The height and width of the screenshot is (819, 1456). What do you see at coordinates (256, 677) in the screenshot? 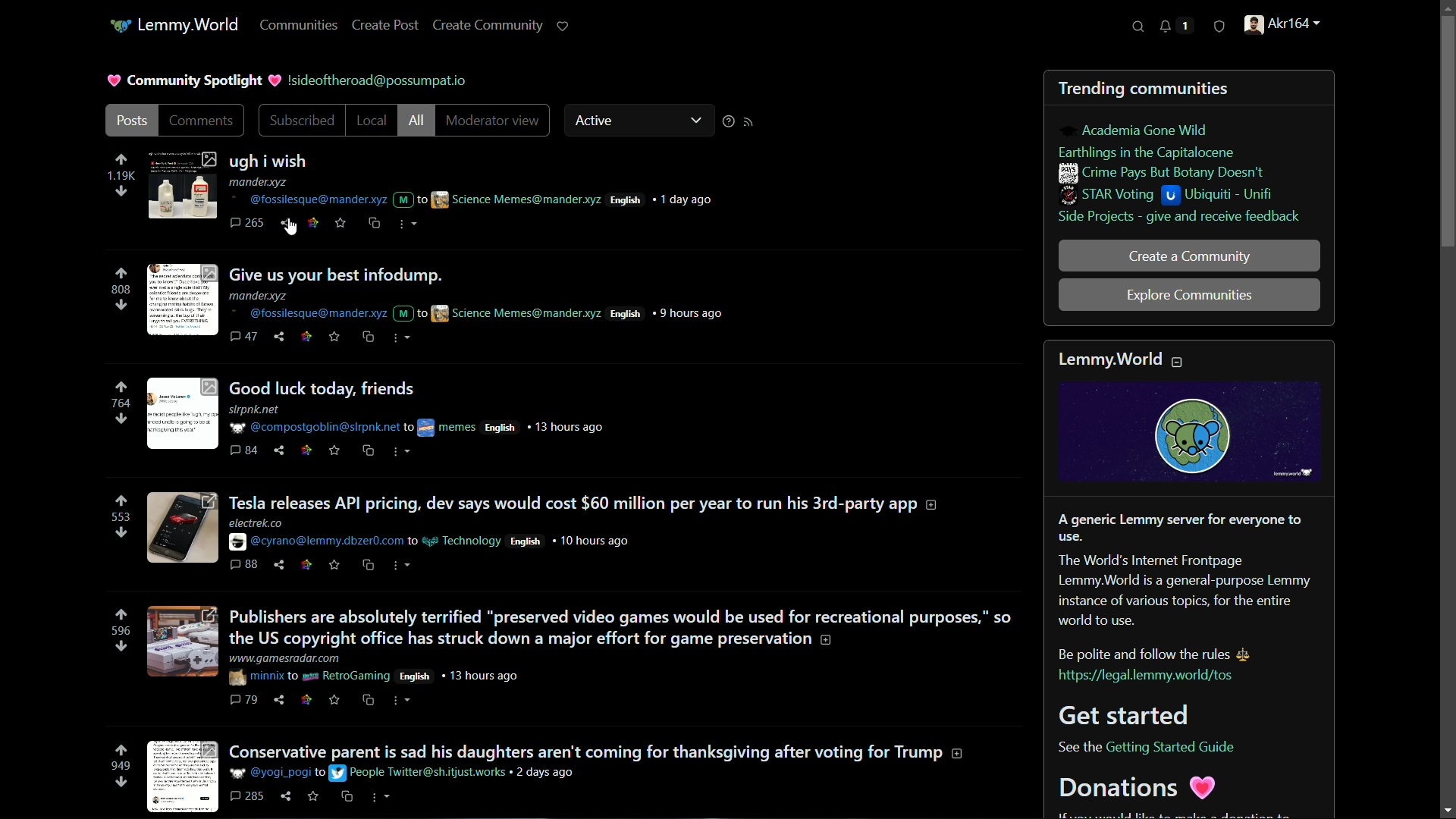
I see `minnix` at bounding box center [256, 677].